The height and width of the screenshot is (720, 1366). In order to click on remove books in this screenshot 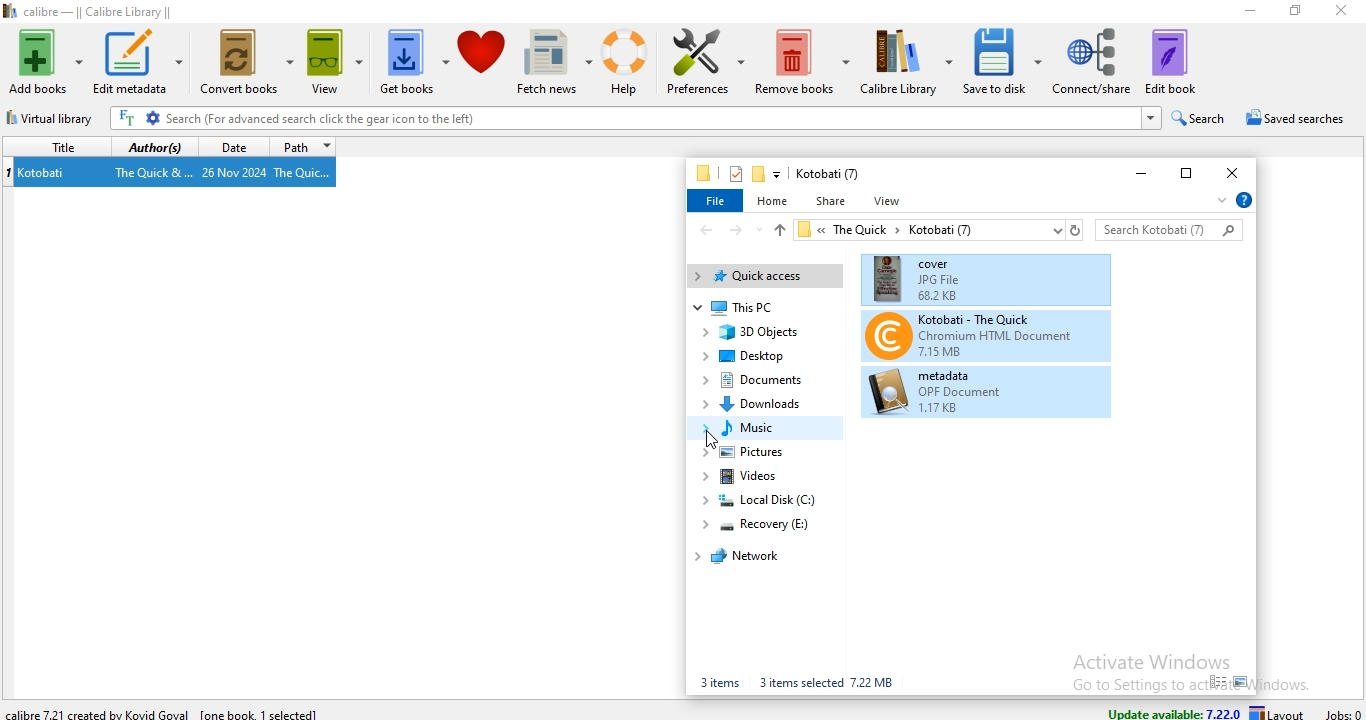, I will do `click(802, 60)`.